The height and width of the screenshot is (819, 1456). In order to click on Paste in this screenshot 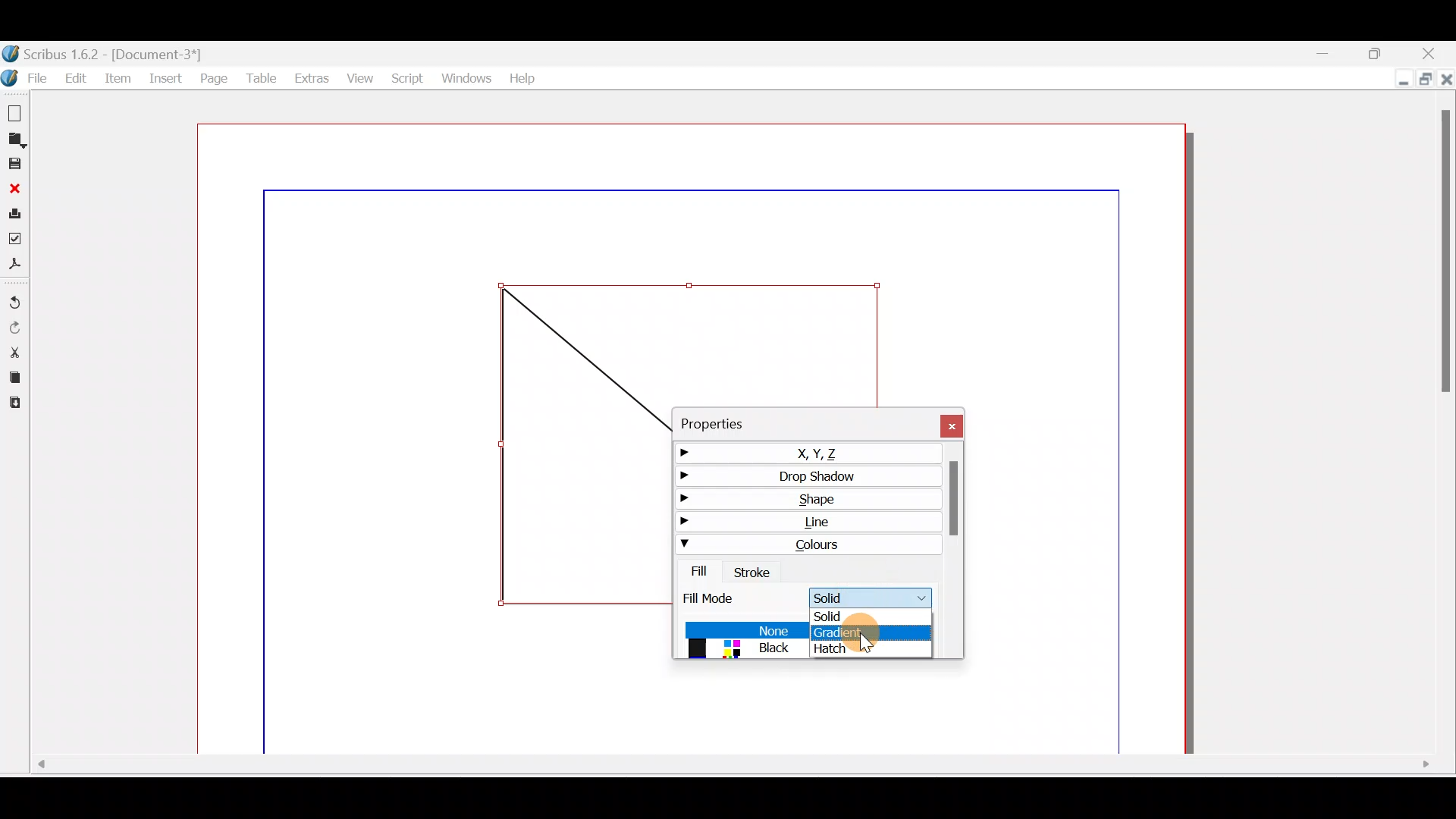, I will do `click(19, 403)`.